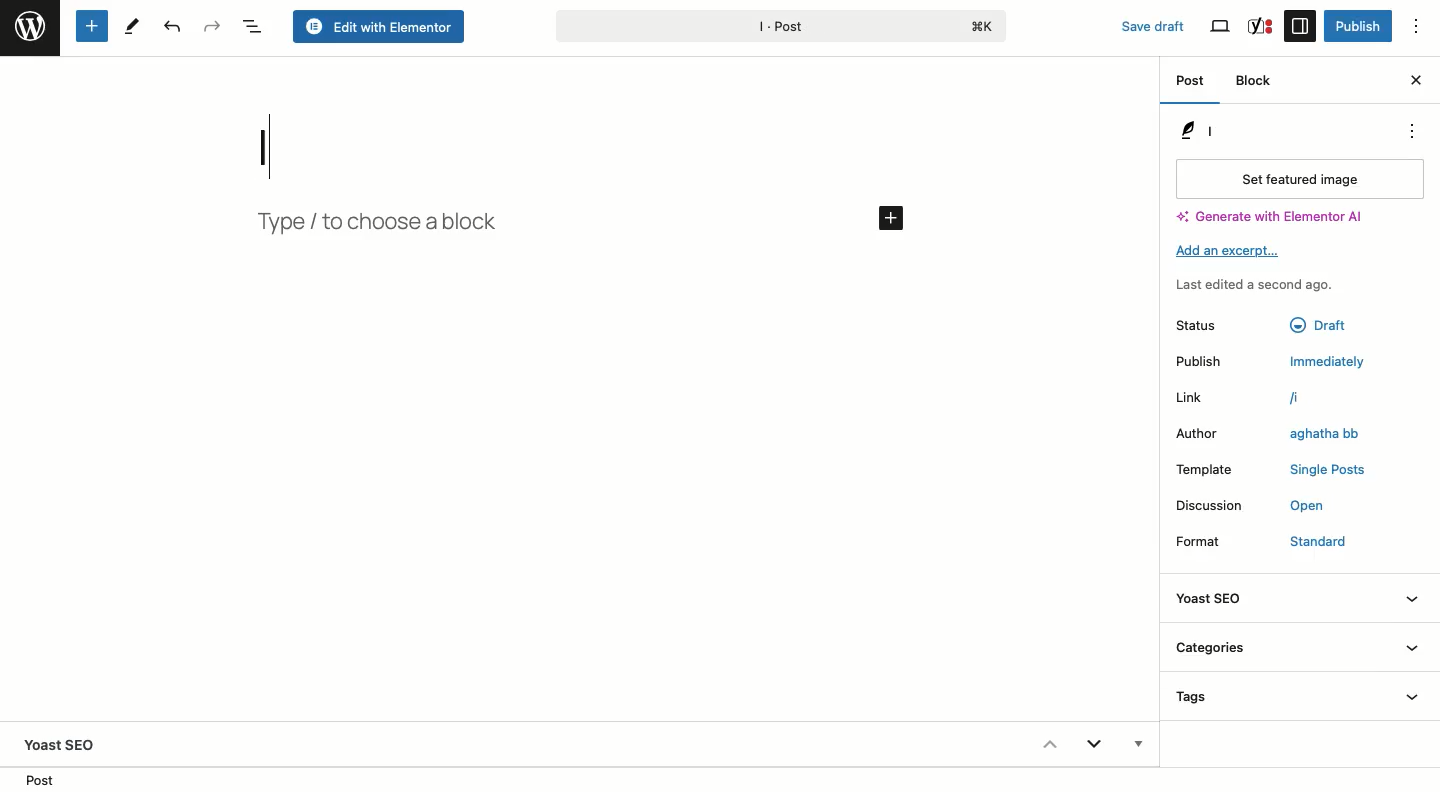 The image size is (1440, 792). I want to click on Immediately, so click(1331, 360).